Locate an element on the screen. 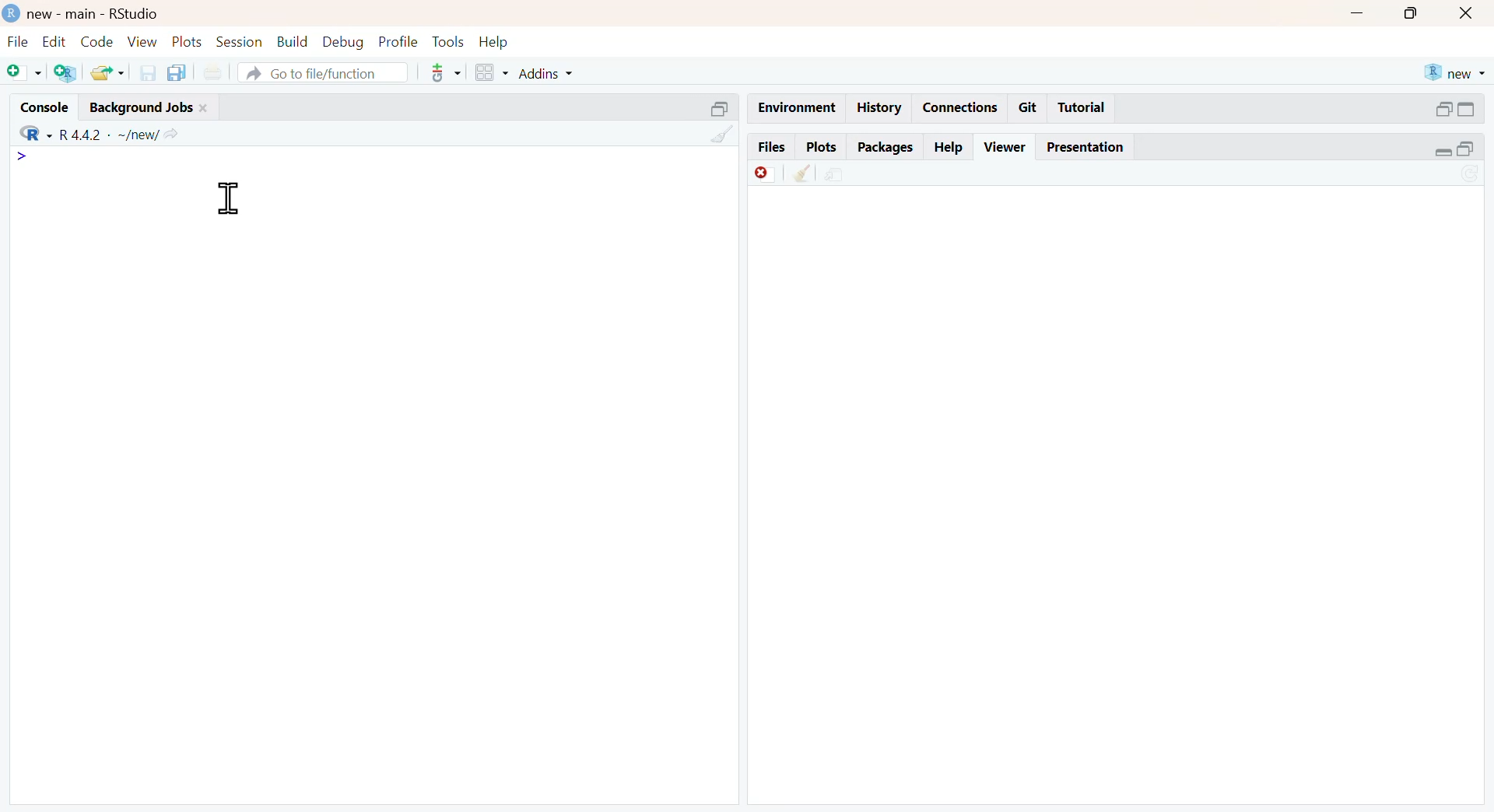  print is located at coordinates (213, 73).